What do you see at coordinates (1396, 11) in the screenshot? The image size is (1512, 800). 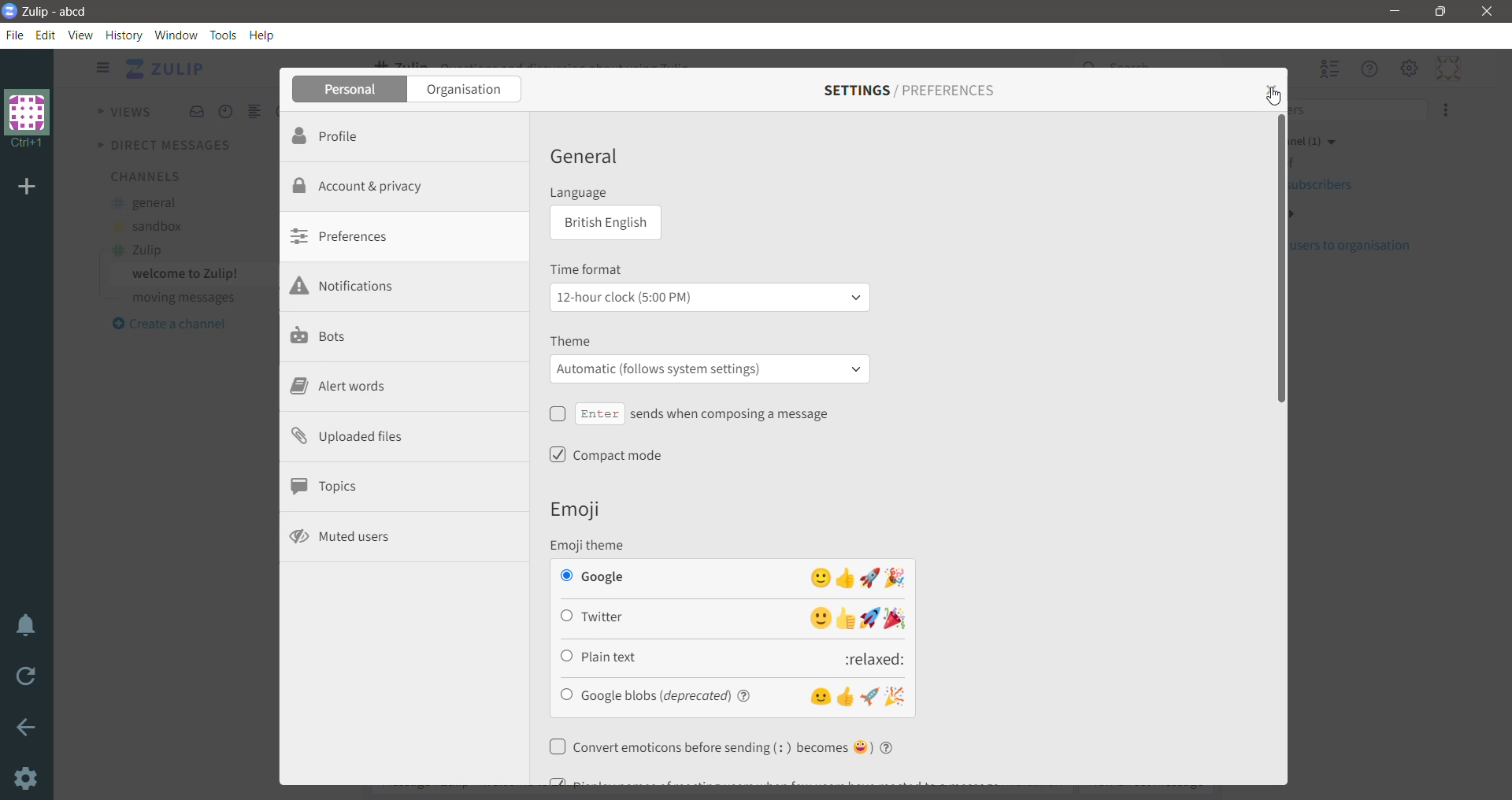 I see `Minimize` at bounding box center [1396, 11].